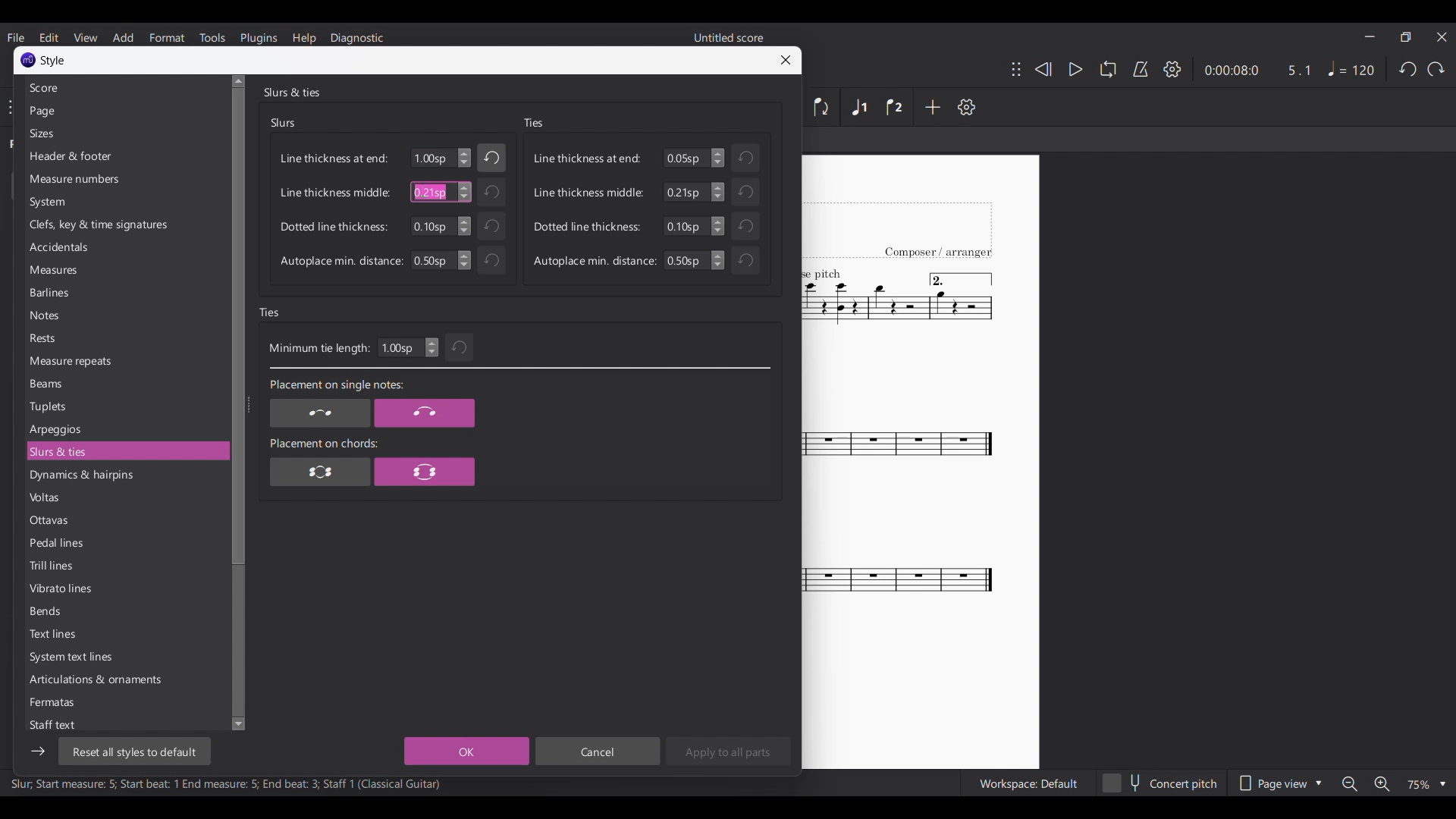  I want to click on Input minimum tie length, so click(400, 347).